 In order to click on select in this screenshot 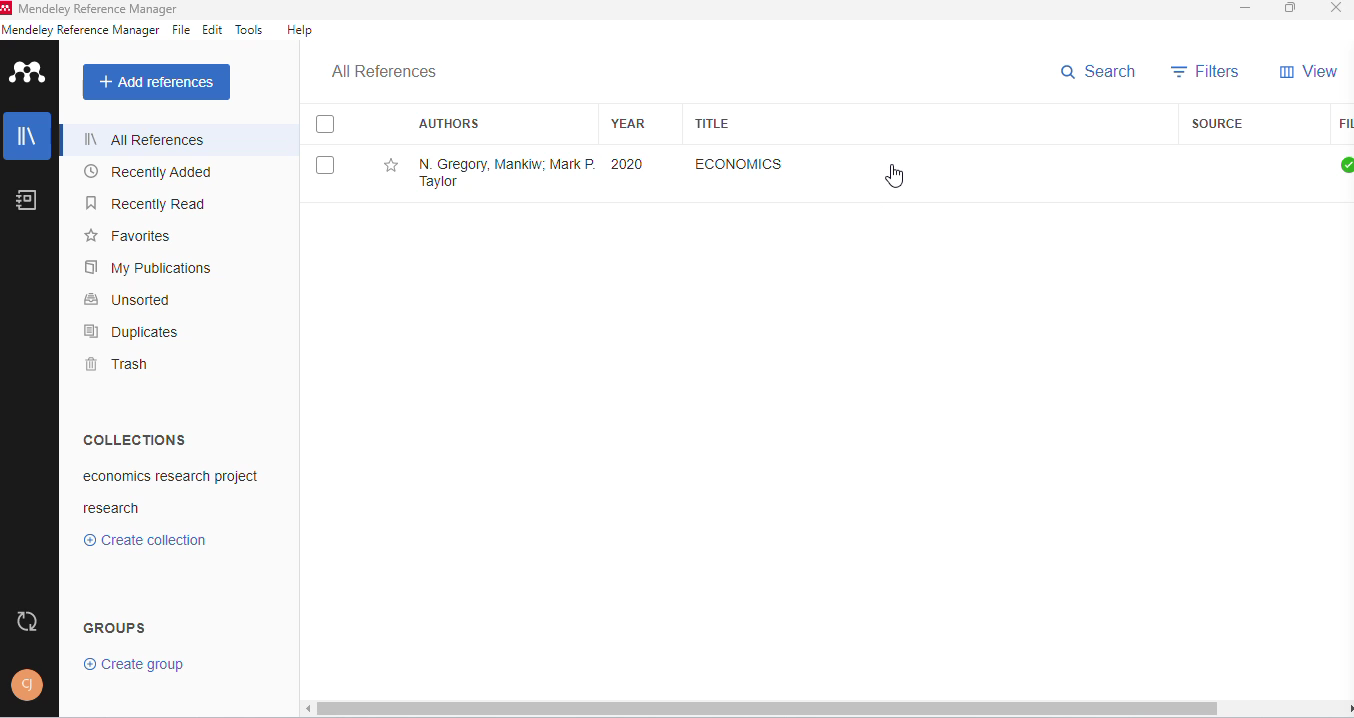, I will do `click(326, 166)`.